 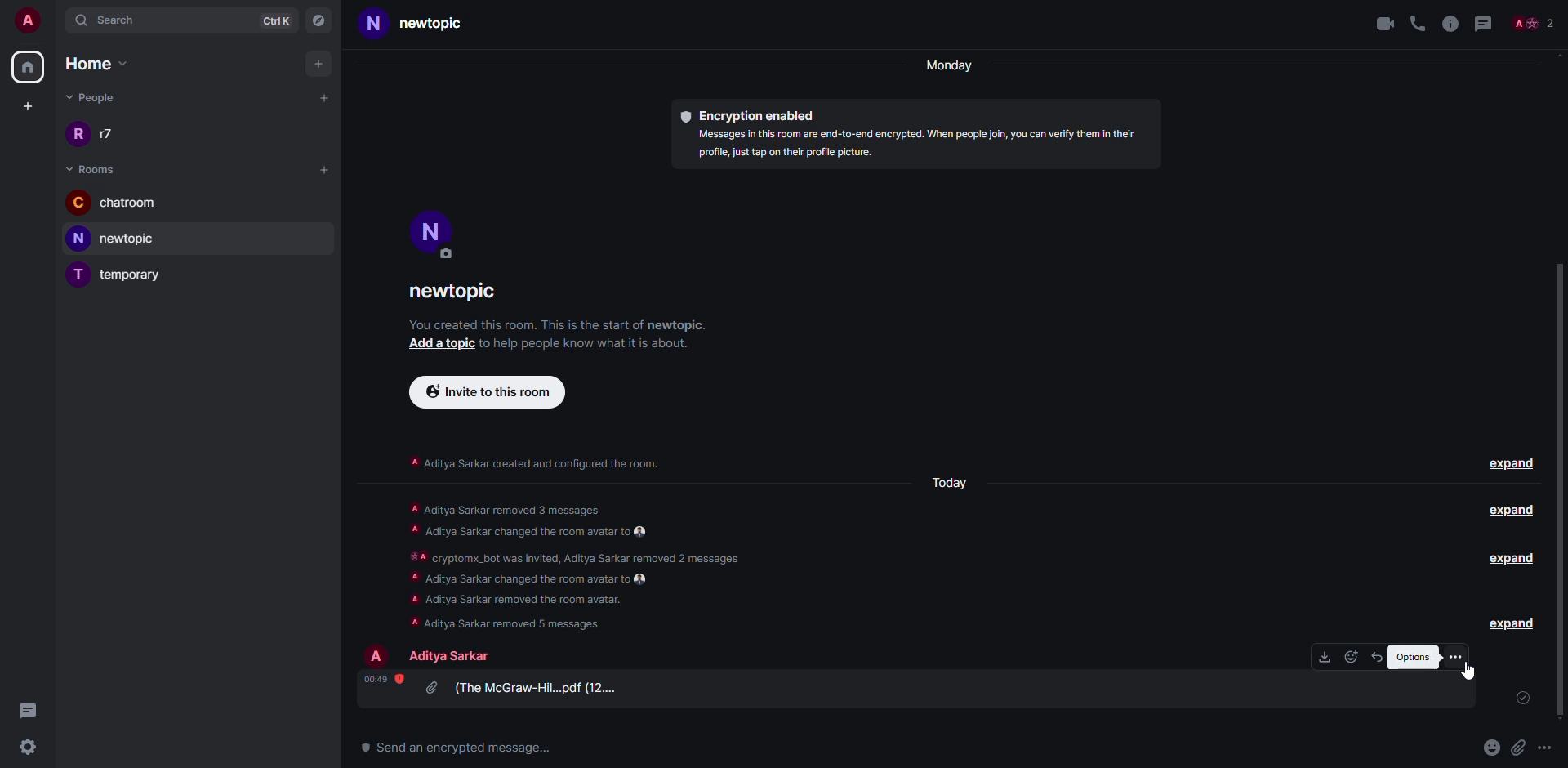 What do you see at coordinates (546, 464) in the screenshot?
I see `info` at bounding box center [546, 464].